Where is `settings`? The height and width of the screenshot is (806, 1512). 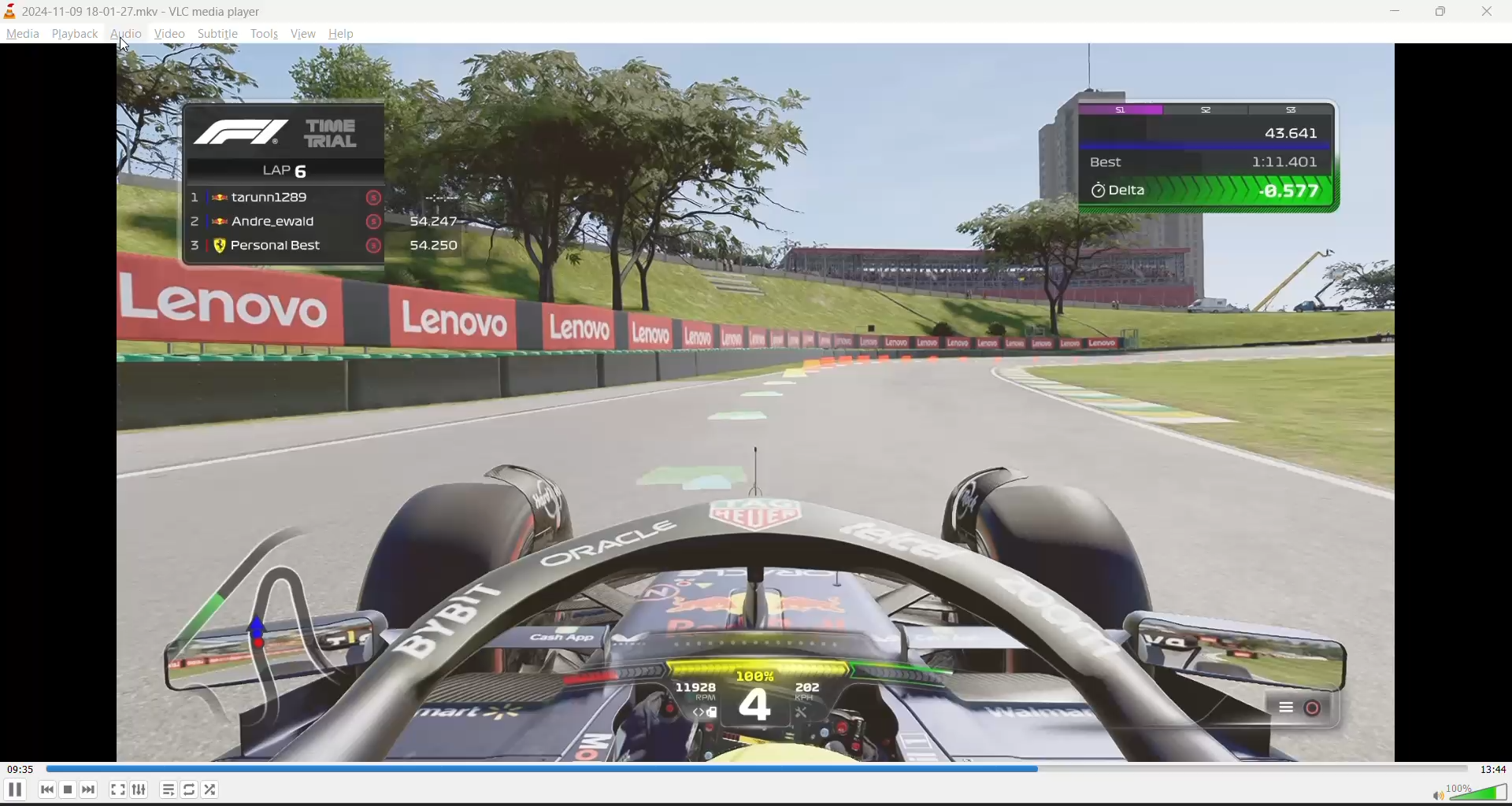
settings is located at coordinates (140, 789).